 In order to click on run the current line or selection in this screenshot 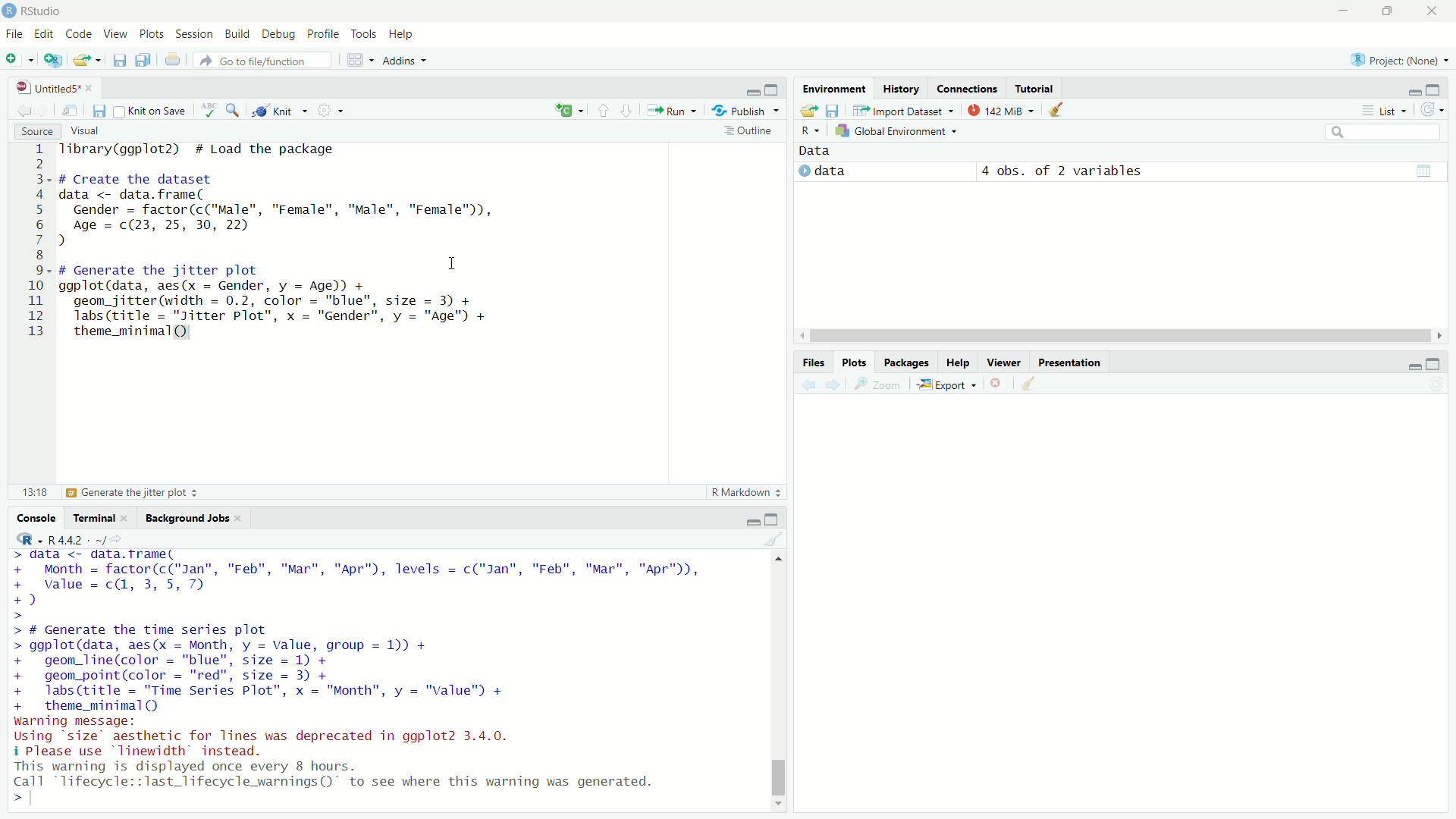, I will do `click(673, 109)`.